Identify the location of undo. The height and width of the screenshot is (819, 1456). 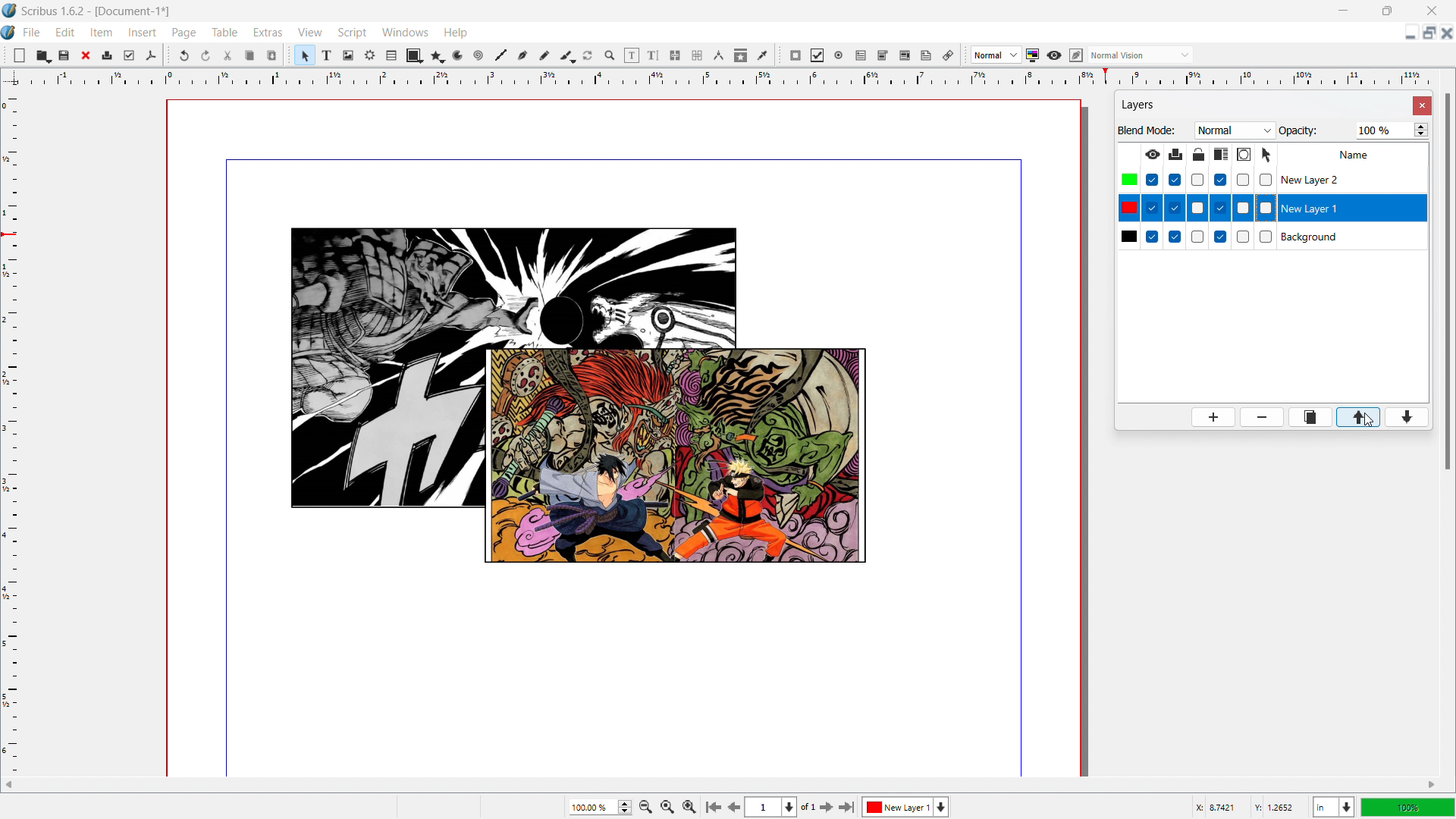
(184, 55).